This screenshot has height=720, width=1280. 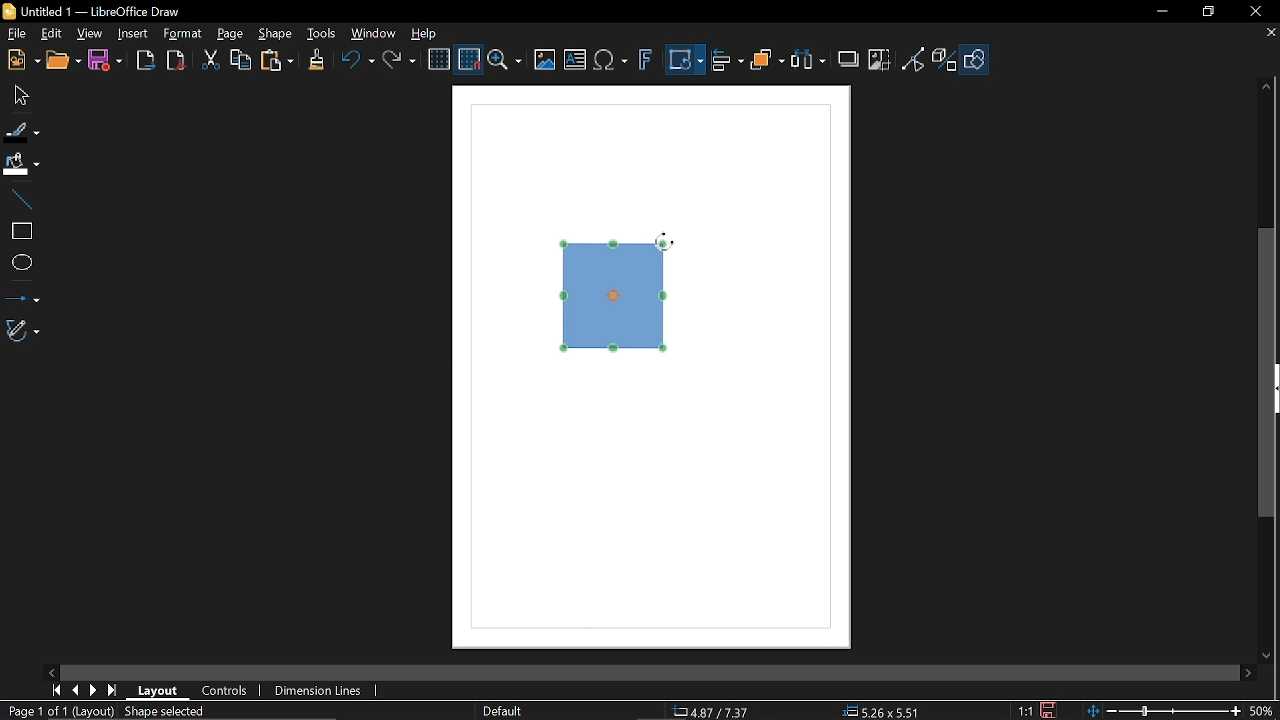 I want to click on Move up, so click(x=1267, y=87).